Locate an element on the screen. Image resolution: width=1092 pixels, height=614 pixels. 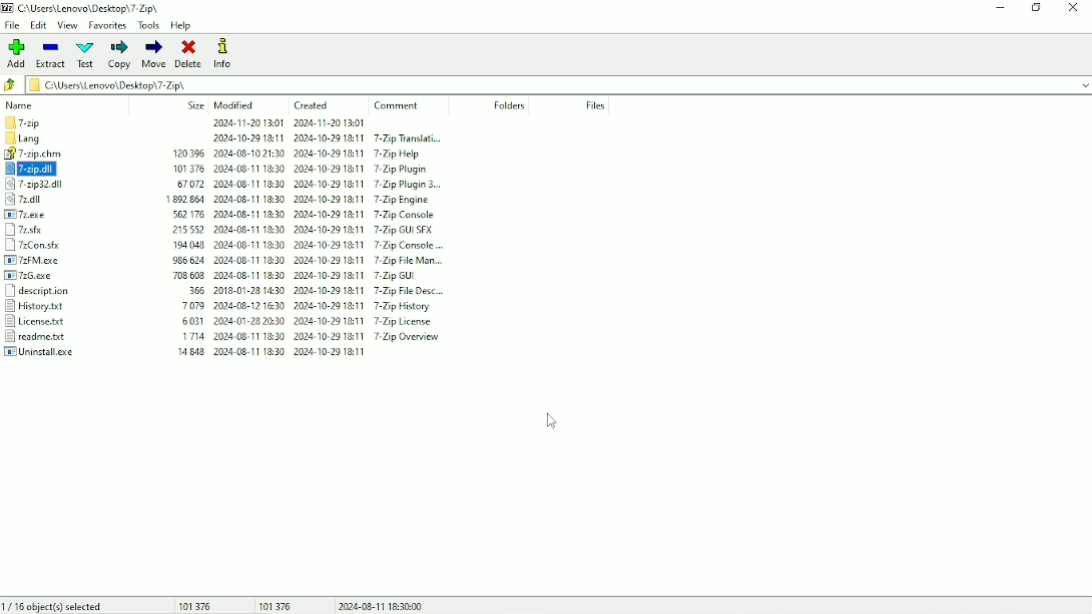
215552 2024-08-11 1230 2028-90-29 1211  7-Zip GUI SFX is located at coordinates (307, 228).